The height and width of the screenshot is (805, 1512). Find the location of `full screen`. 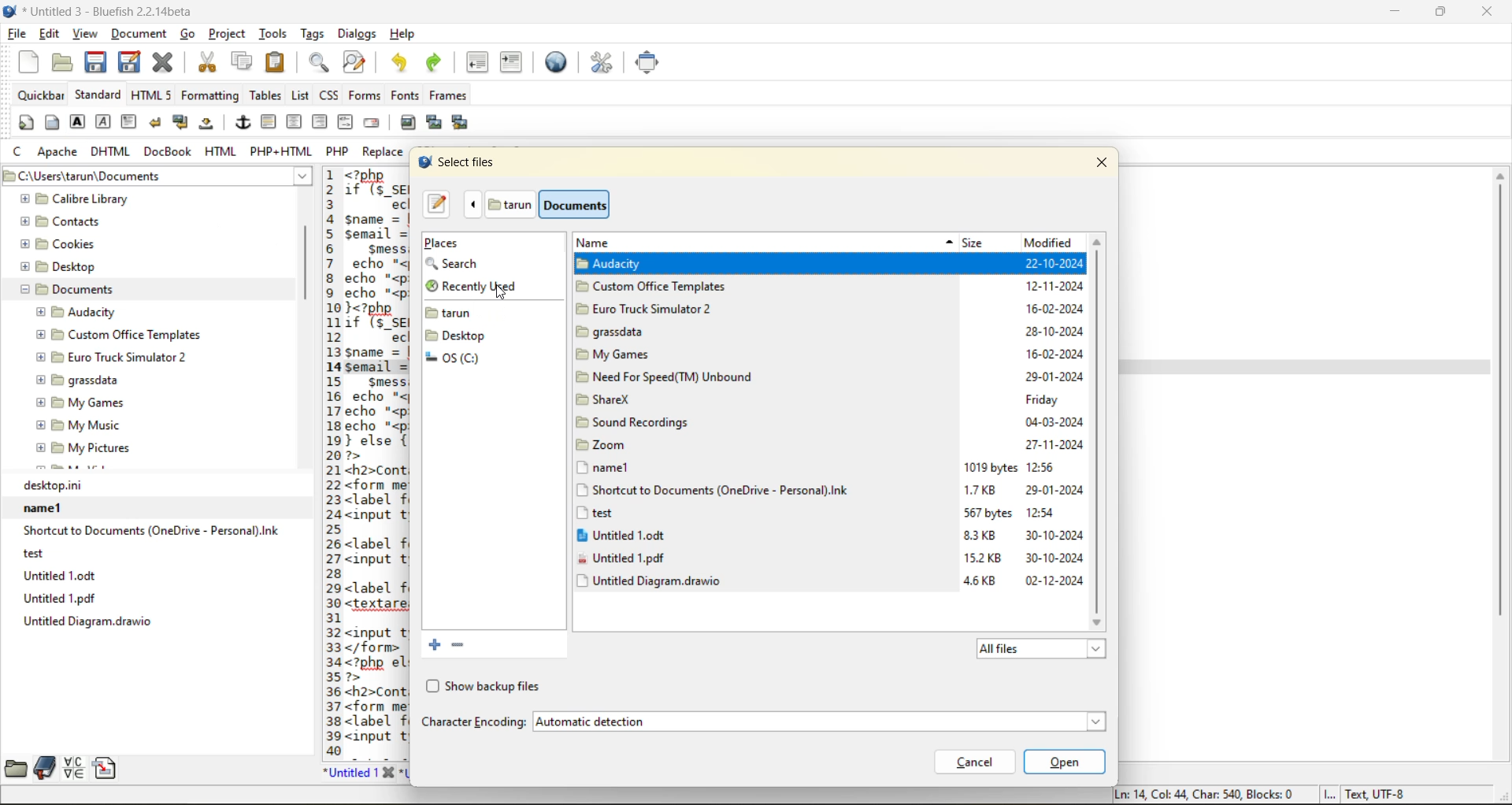

full screen is located at coordinates (649, 62).